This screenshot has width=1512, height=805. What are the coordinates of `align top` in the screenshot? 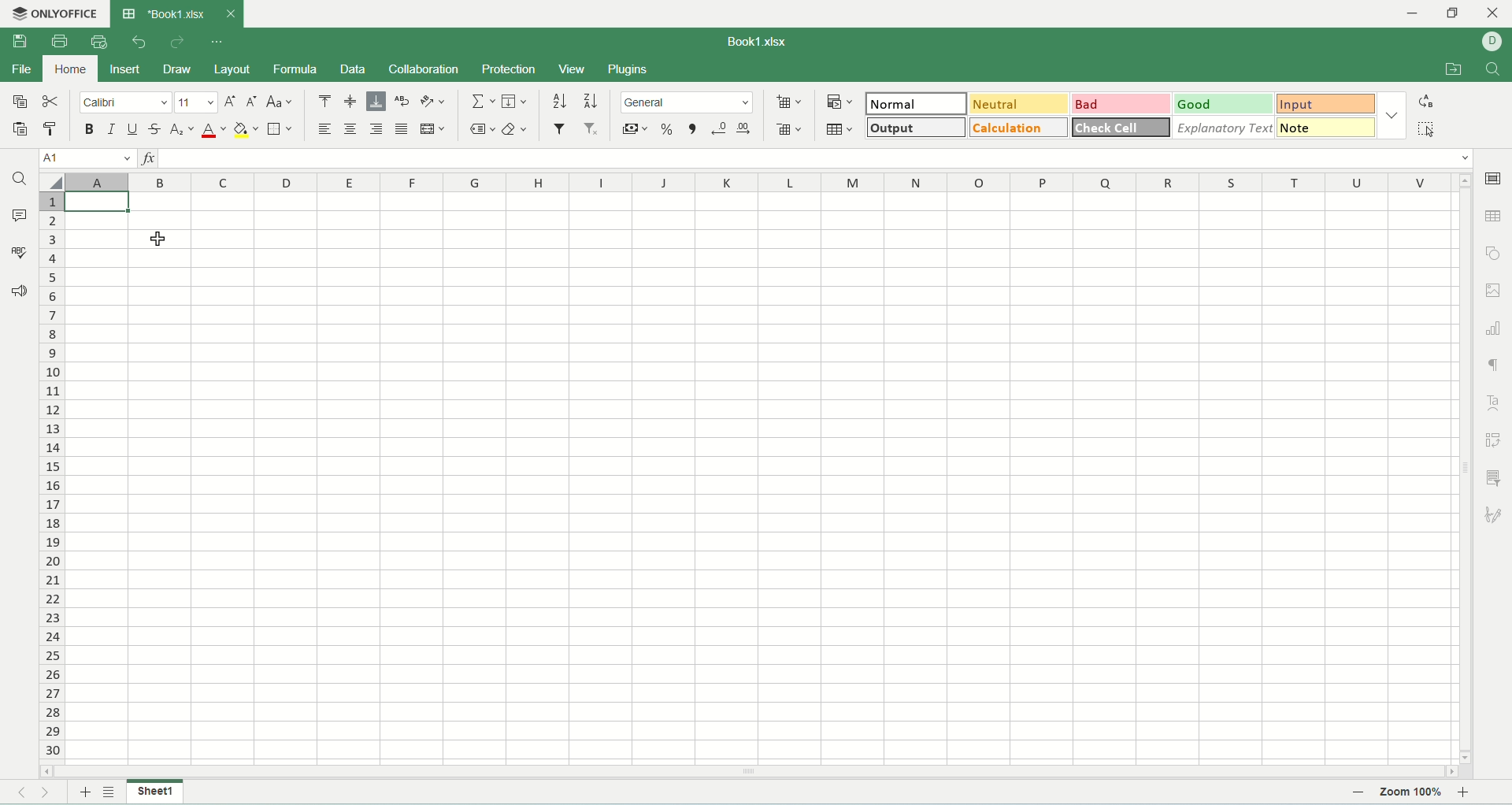 It's located at (322, 101).